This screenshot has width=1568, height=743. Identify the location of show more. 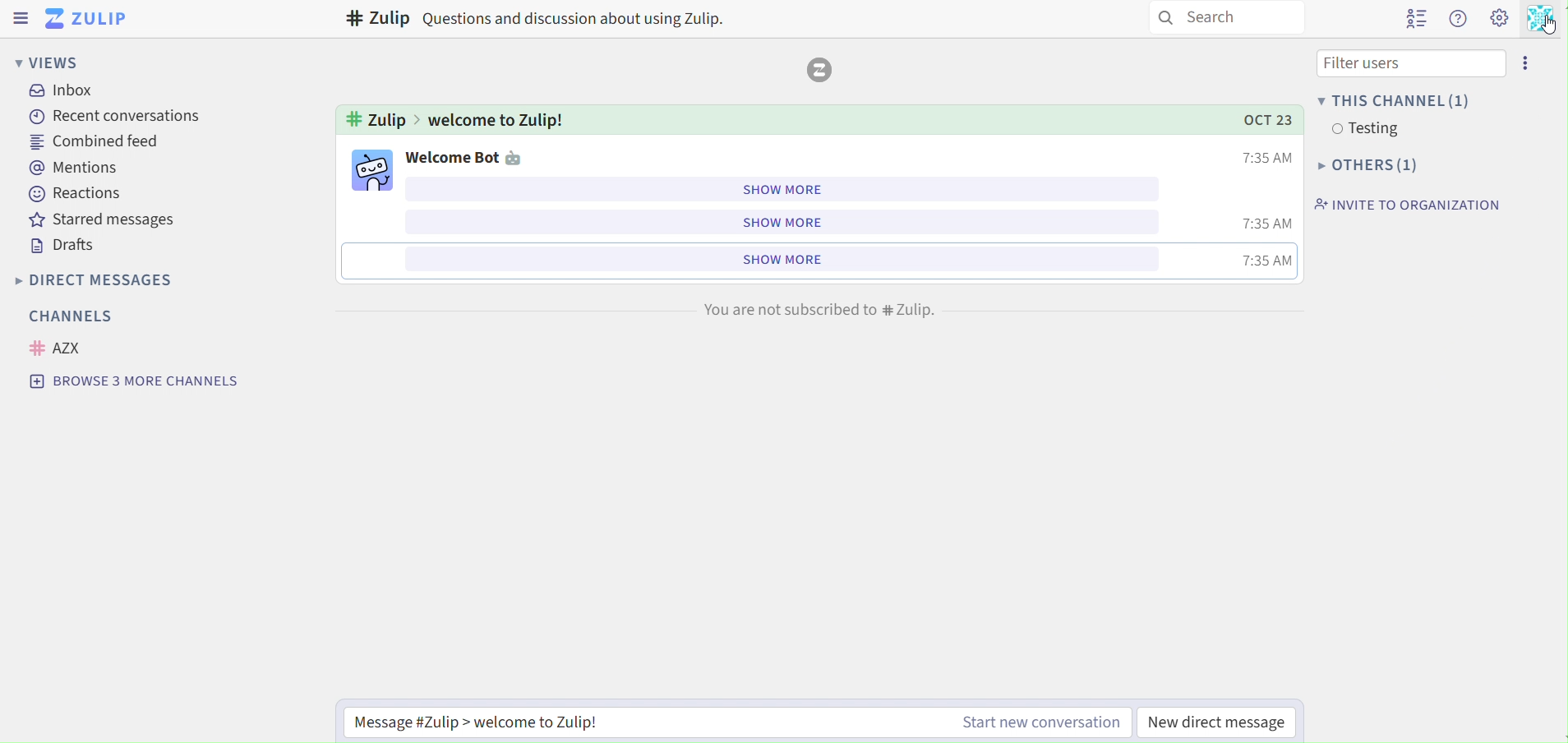
(777, 223).